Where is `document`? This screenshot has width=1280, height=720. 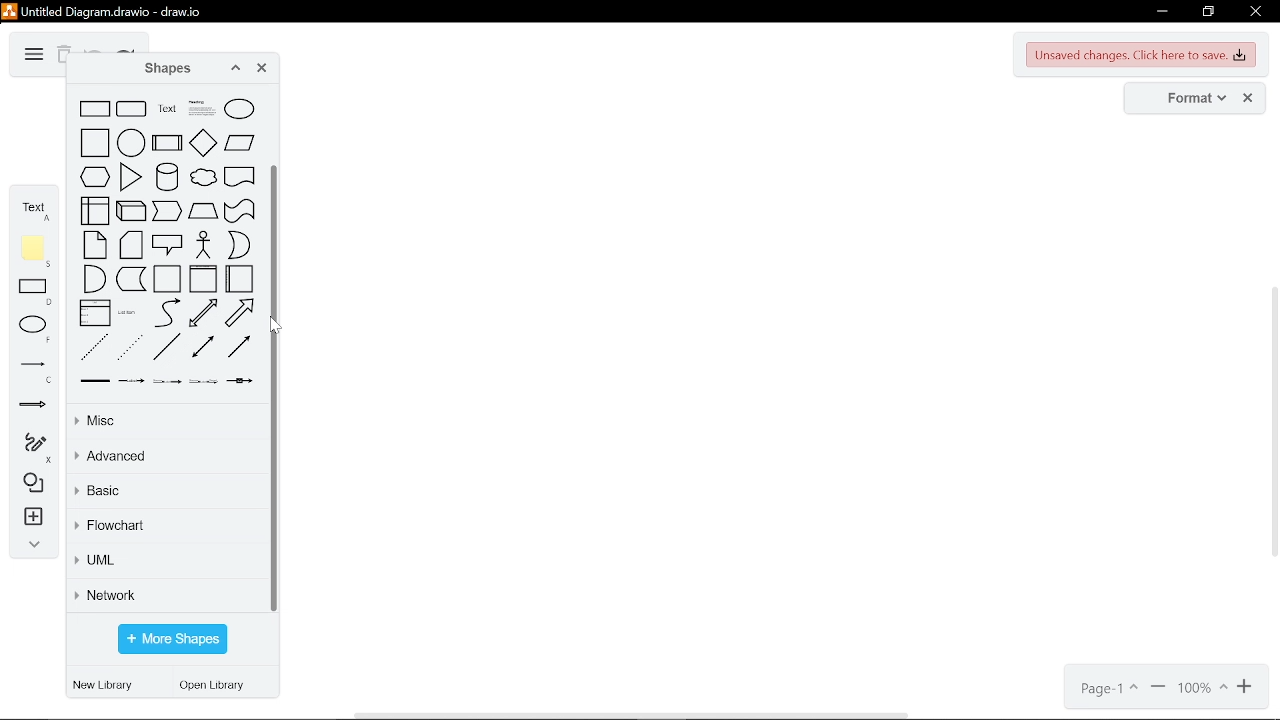
document is located at coordinates (240, 176).